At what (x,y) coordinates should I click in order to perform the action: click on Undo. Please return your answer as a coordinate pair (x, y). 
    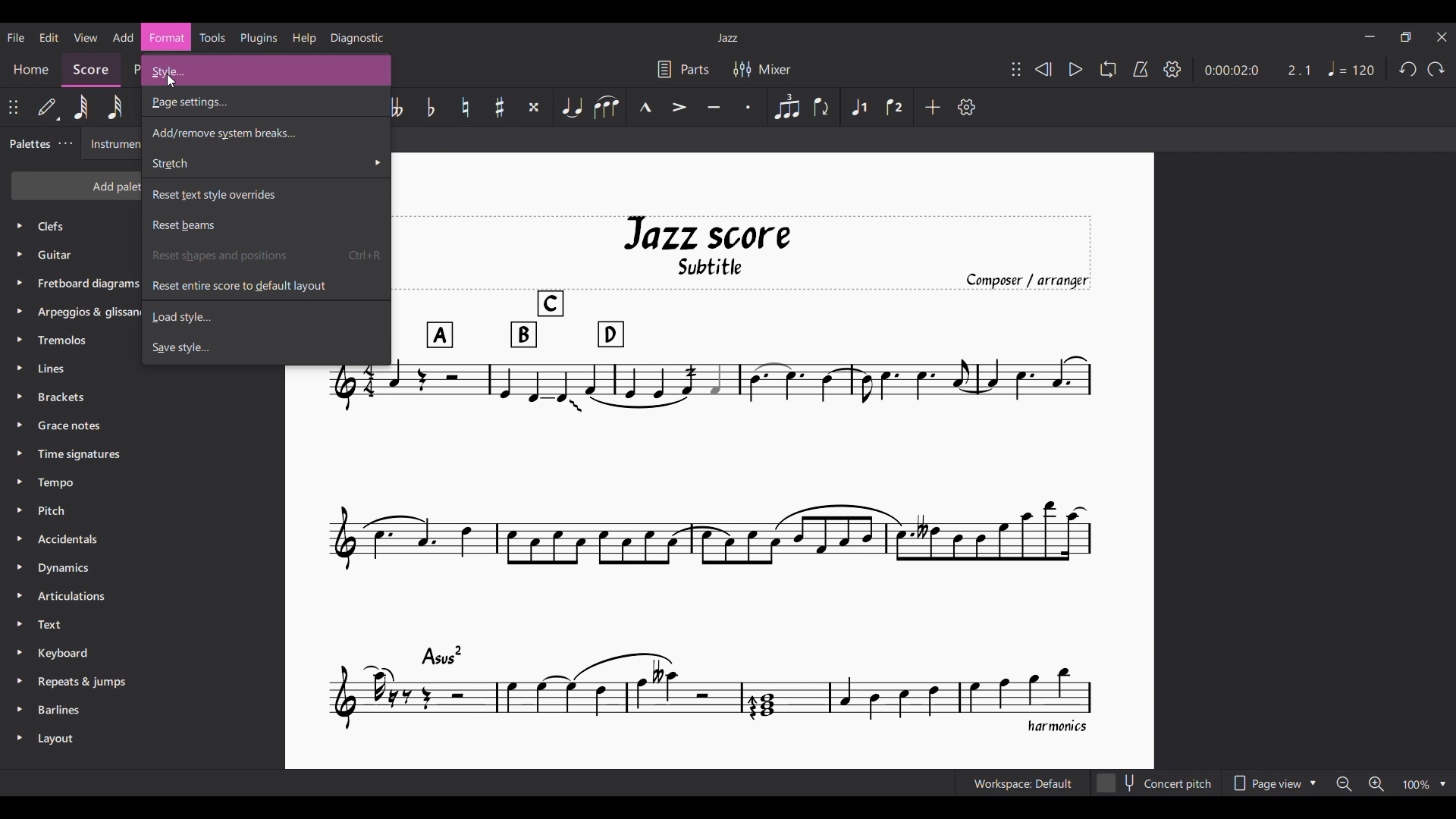
    Looking at the image, I should click on (1407, 69).